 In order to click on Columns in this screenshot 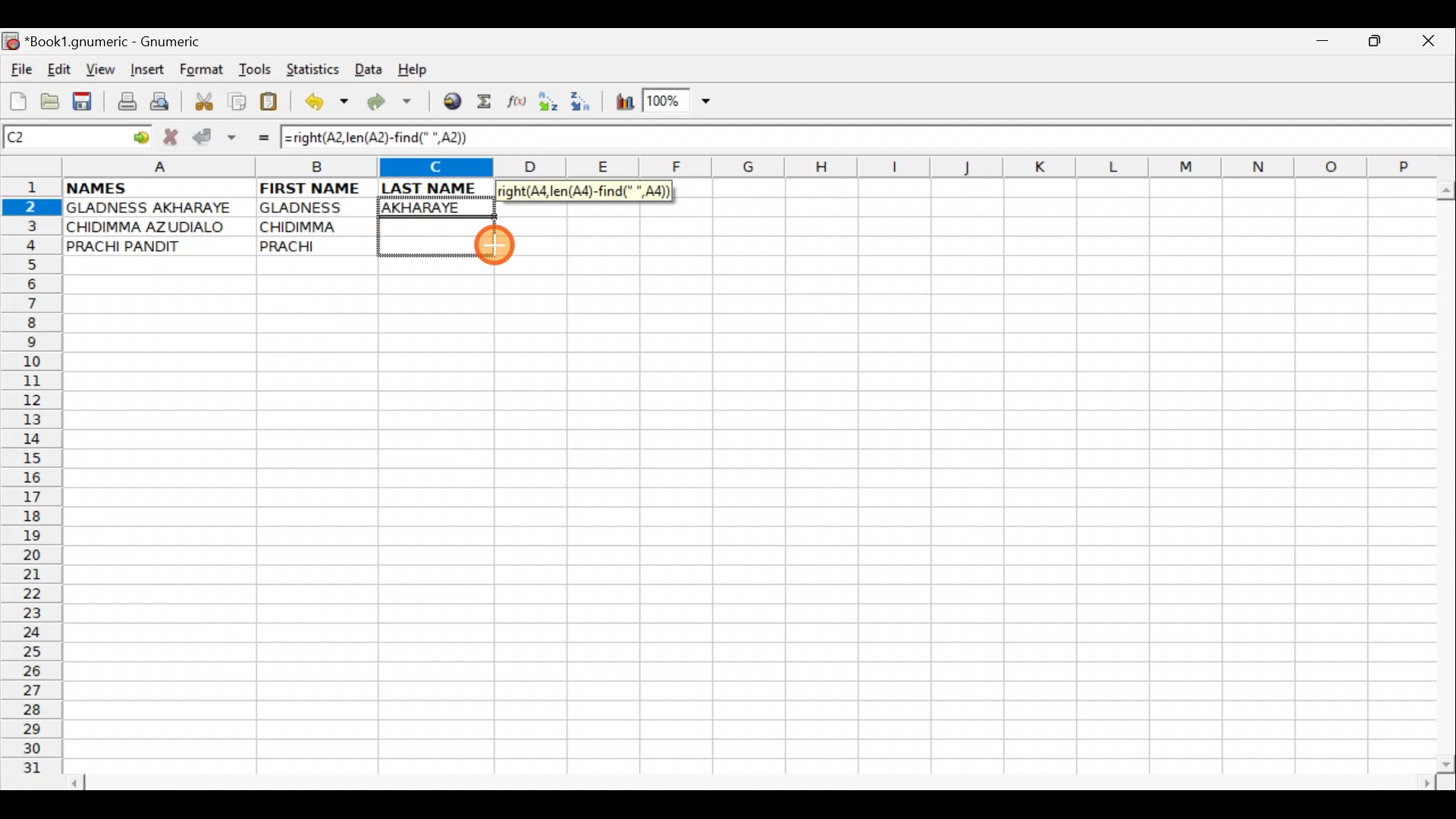, I will do `click(741, 168)`.